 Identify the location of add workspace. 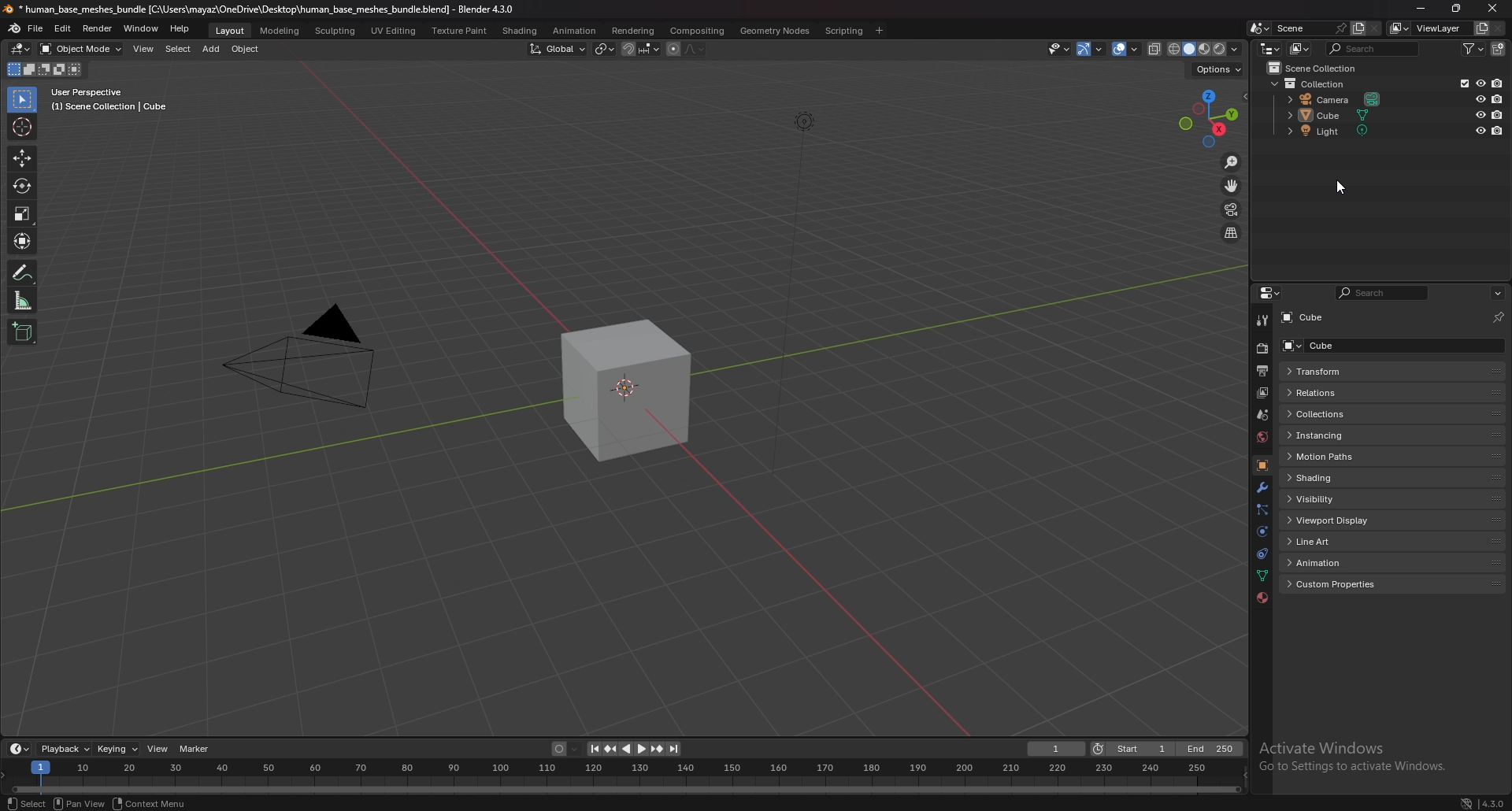
(877, 31).